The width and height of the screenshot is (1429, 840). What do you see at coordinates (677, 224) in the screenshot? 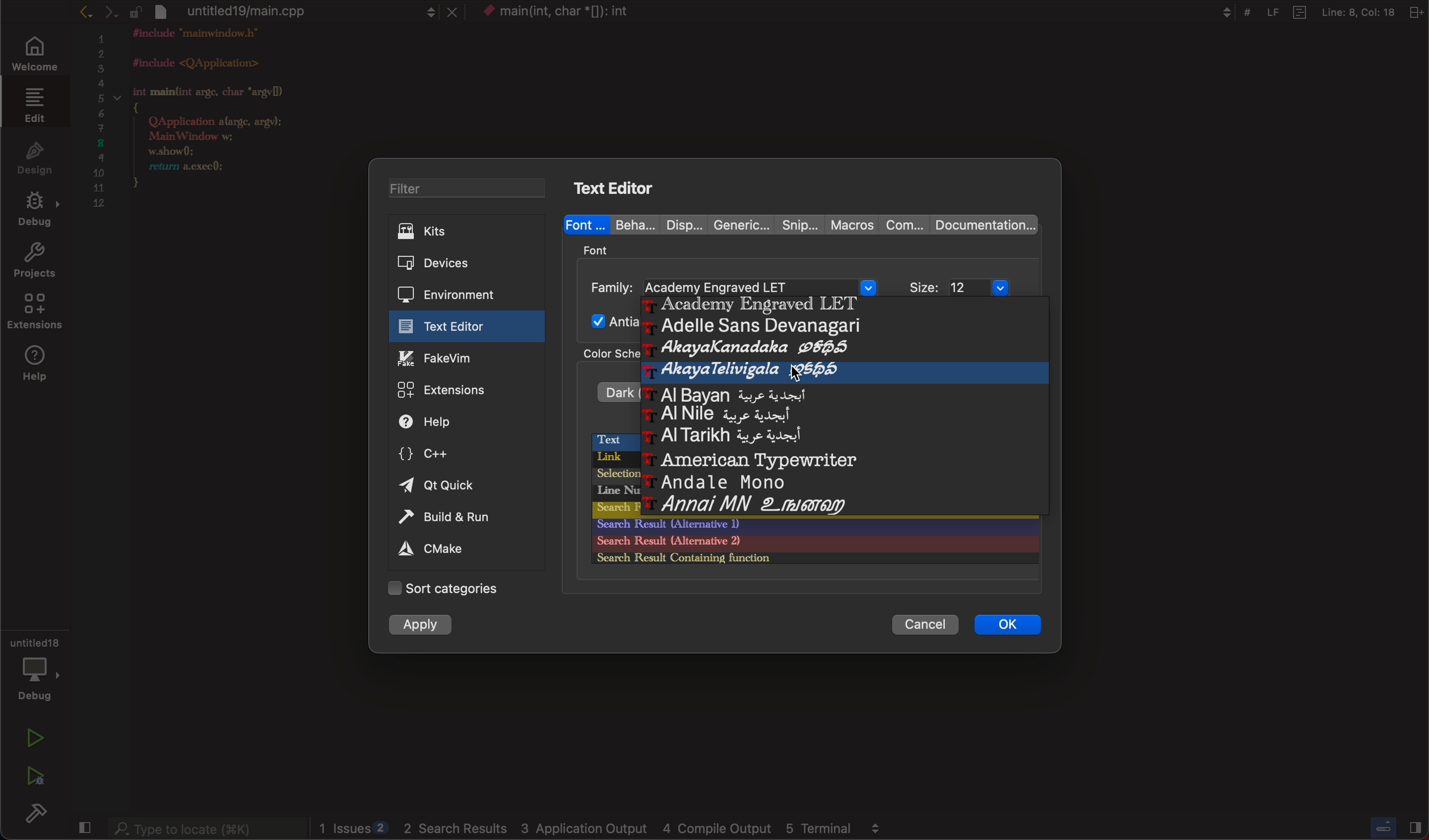
I see `disp` at bounding box center [677, 224].